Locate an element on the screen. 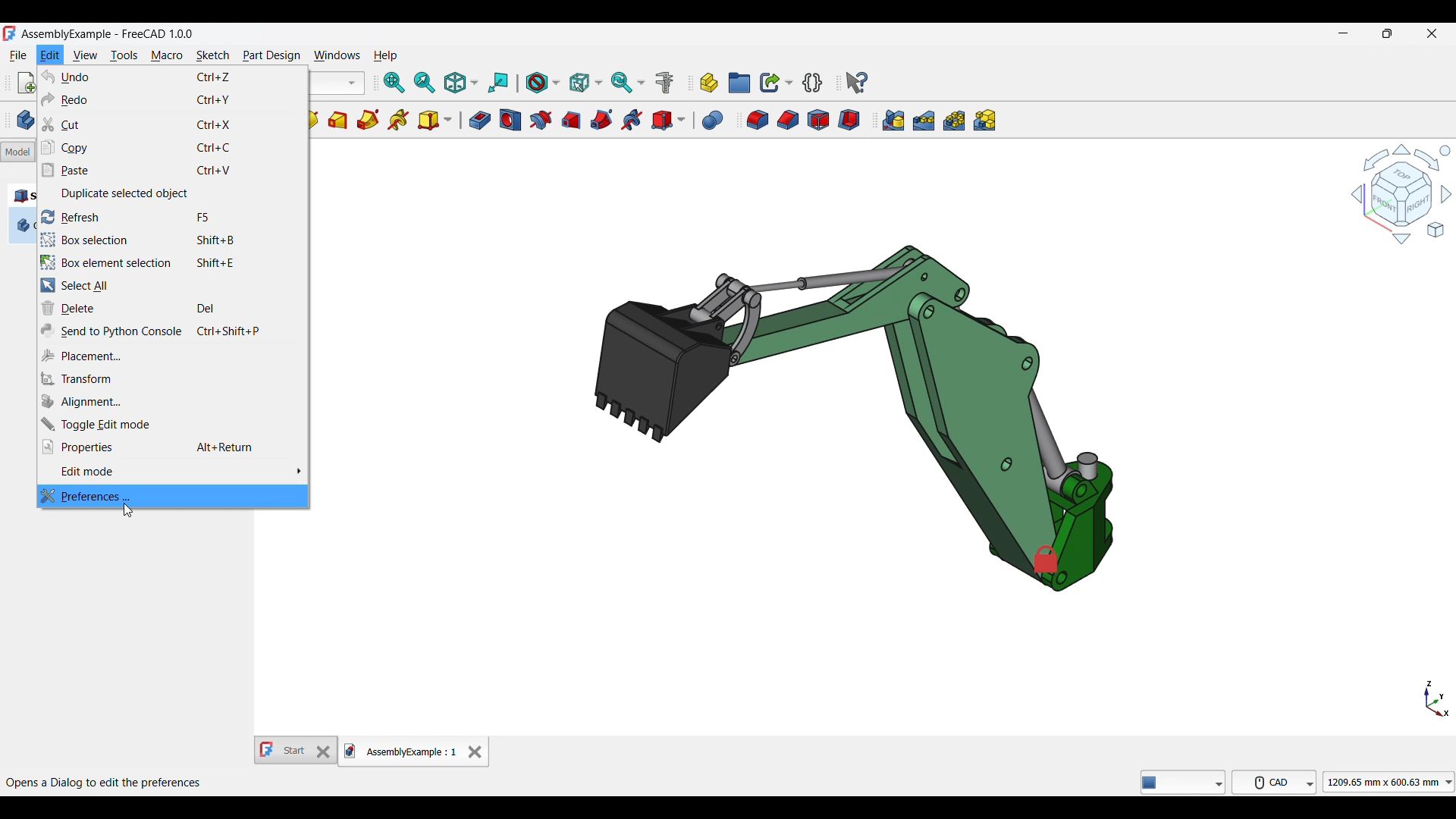 The image size is (1456, 819). Mirrored is located at coordinates (893, 120).